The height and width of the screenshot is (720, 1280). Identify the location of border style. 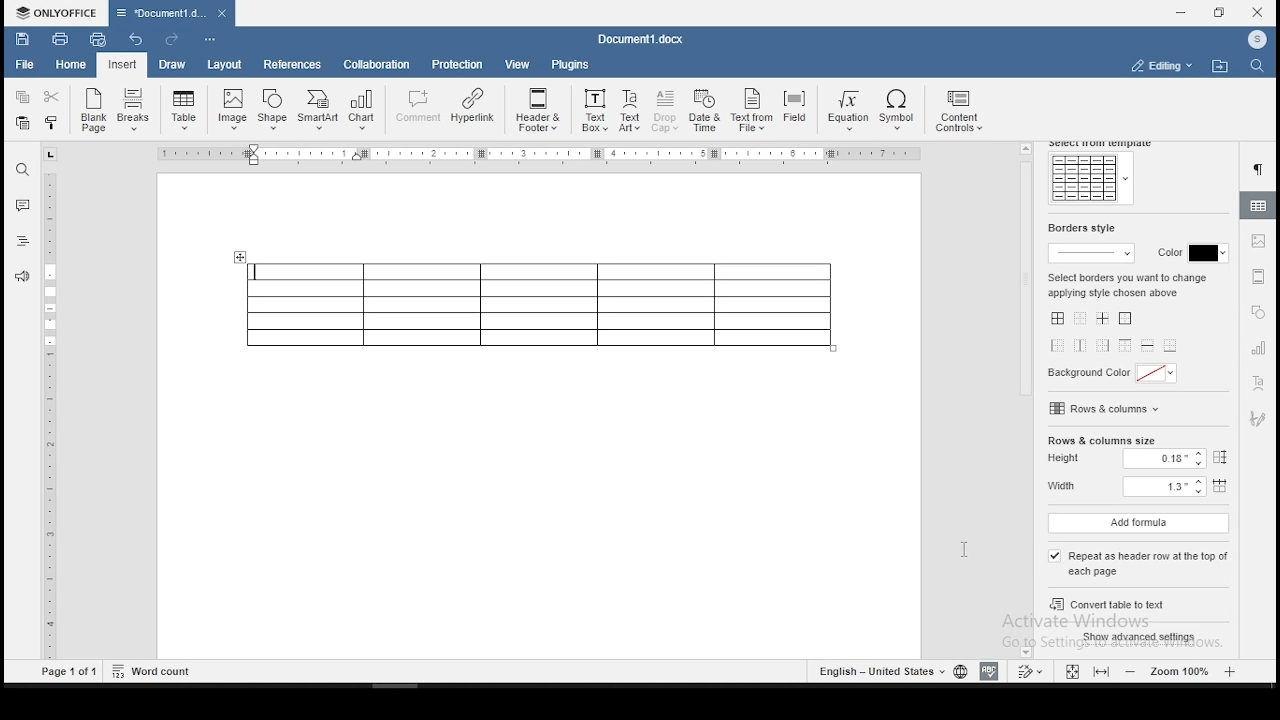
(1094, 252).